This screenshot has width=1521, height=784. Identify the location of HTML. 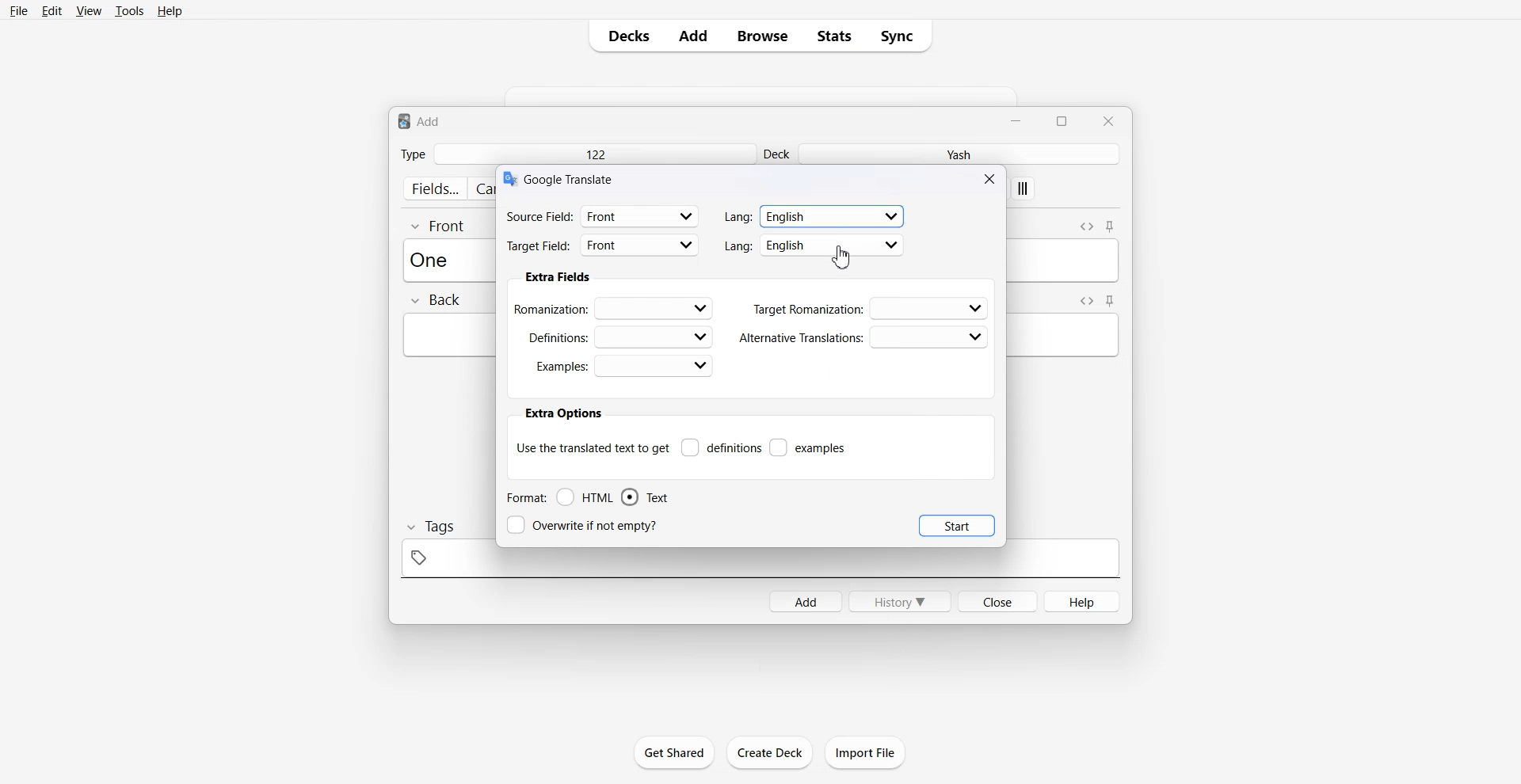
(585, 497).